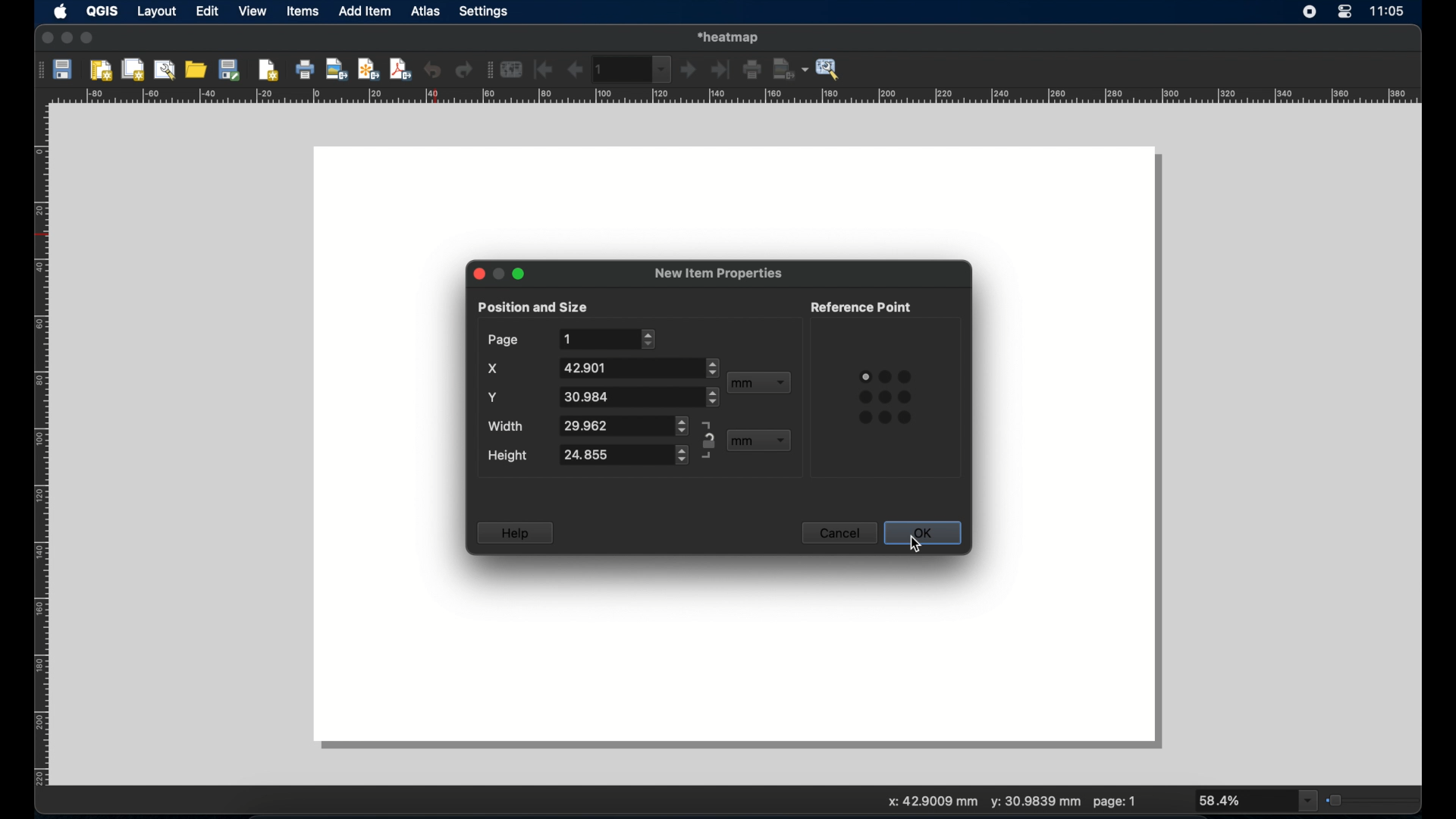 This screenshot has height=819, width=1456. What do you see at coordinates (516, 533) in the screenshot?
I see `help` at bounding box center [516, 533].